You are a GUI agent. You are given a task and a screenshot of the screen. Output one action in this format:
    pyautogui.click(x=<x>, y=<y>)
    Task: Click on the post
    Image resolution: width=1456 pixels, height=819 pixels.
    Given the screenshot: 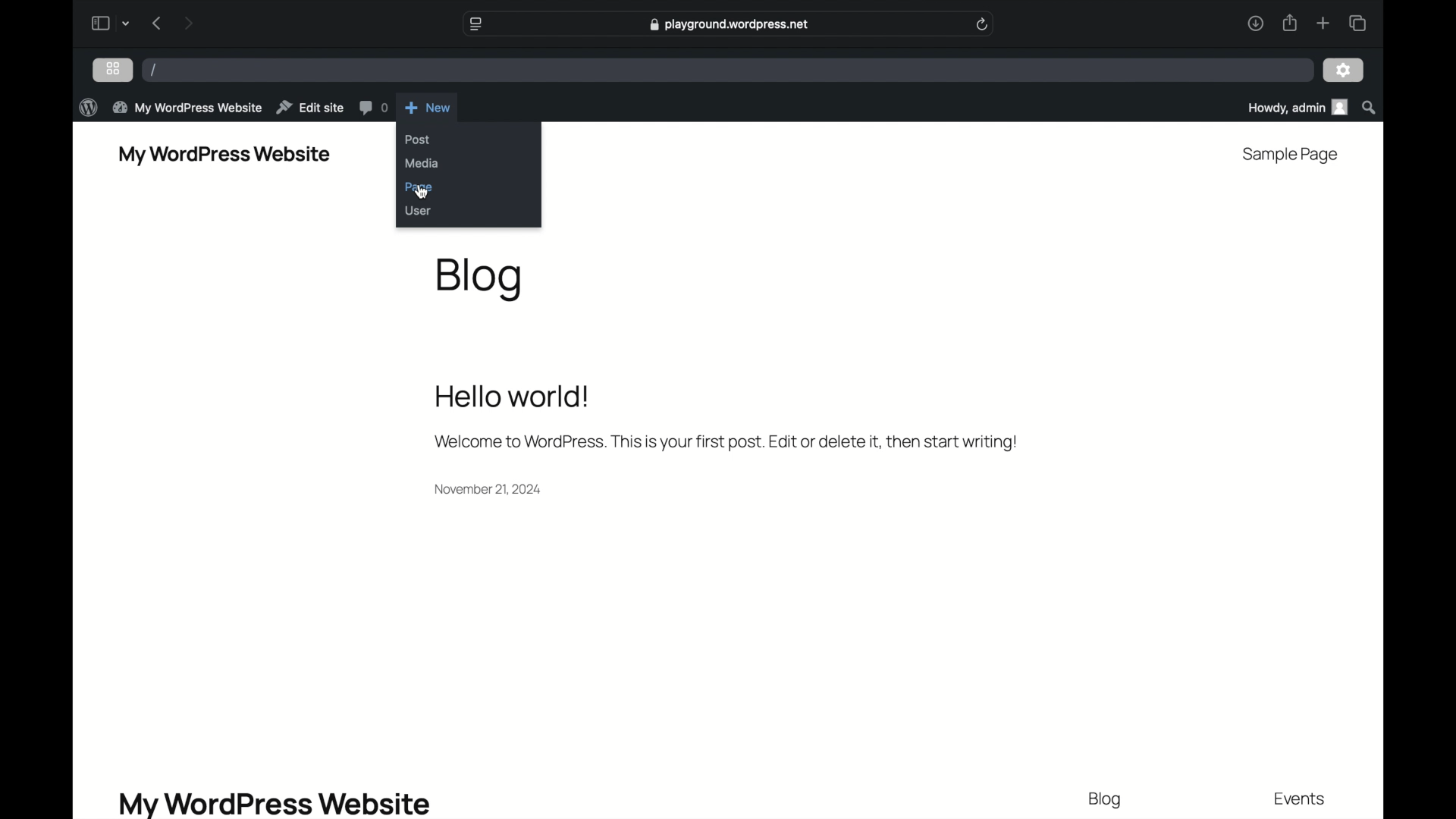 What is the action you would take?
    pyautogui.click(x=418, y=140)
    